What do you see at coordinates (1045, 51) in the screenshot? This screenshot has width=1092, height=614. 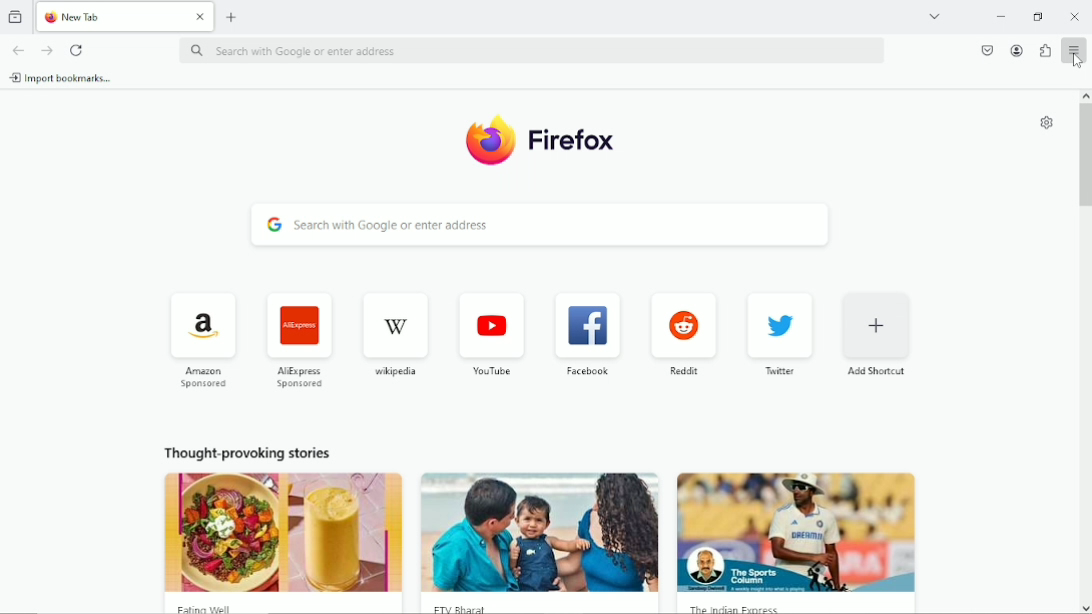 I see `extensions` at bounding box center [1045, 51].